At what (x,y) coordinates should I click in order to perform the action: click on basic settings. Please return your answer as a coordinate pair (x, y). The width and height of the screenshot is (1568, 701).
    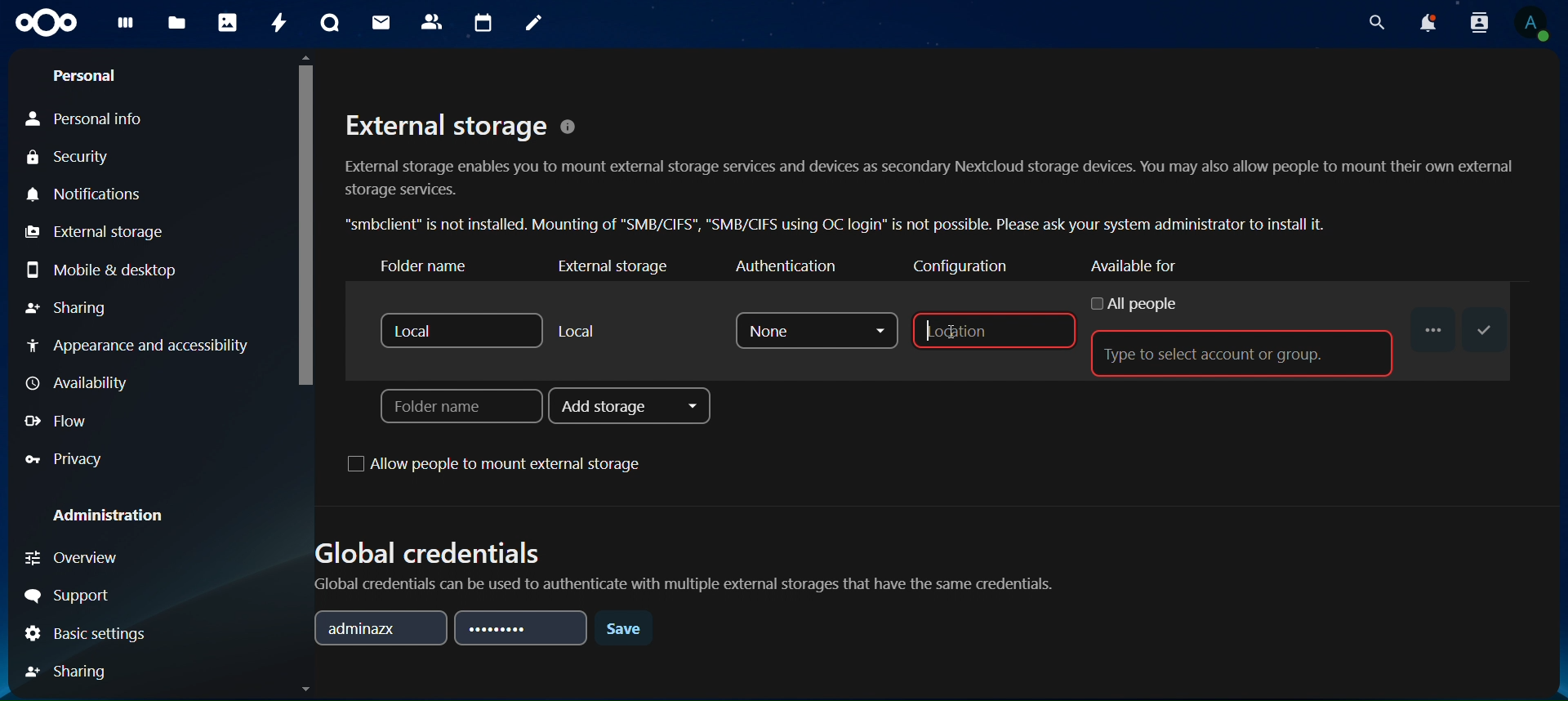
    Looking at the image, I should click on (88, 633).